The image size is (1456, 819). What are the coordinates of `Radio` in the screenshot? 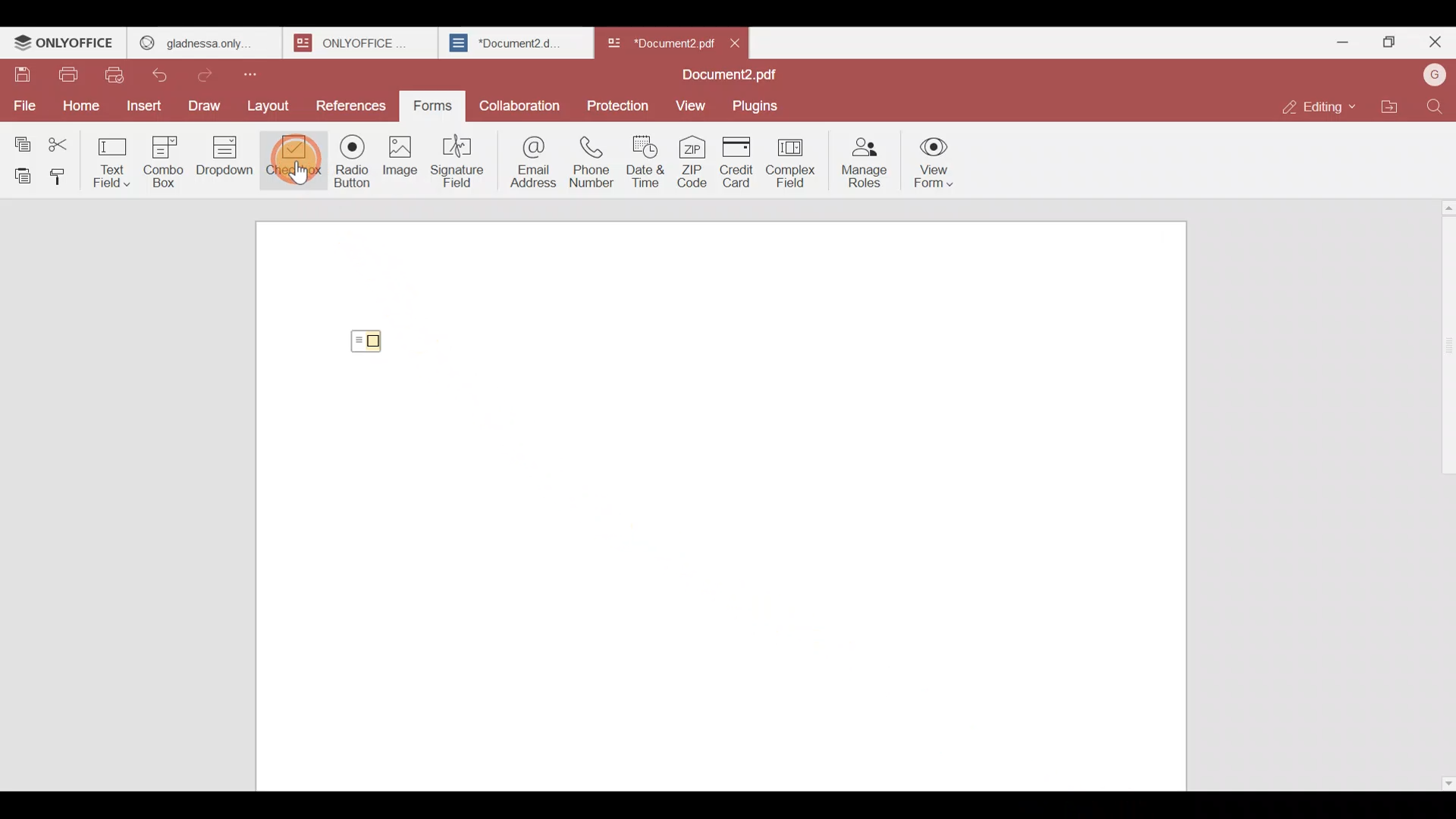 It's located at (347, 165).